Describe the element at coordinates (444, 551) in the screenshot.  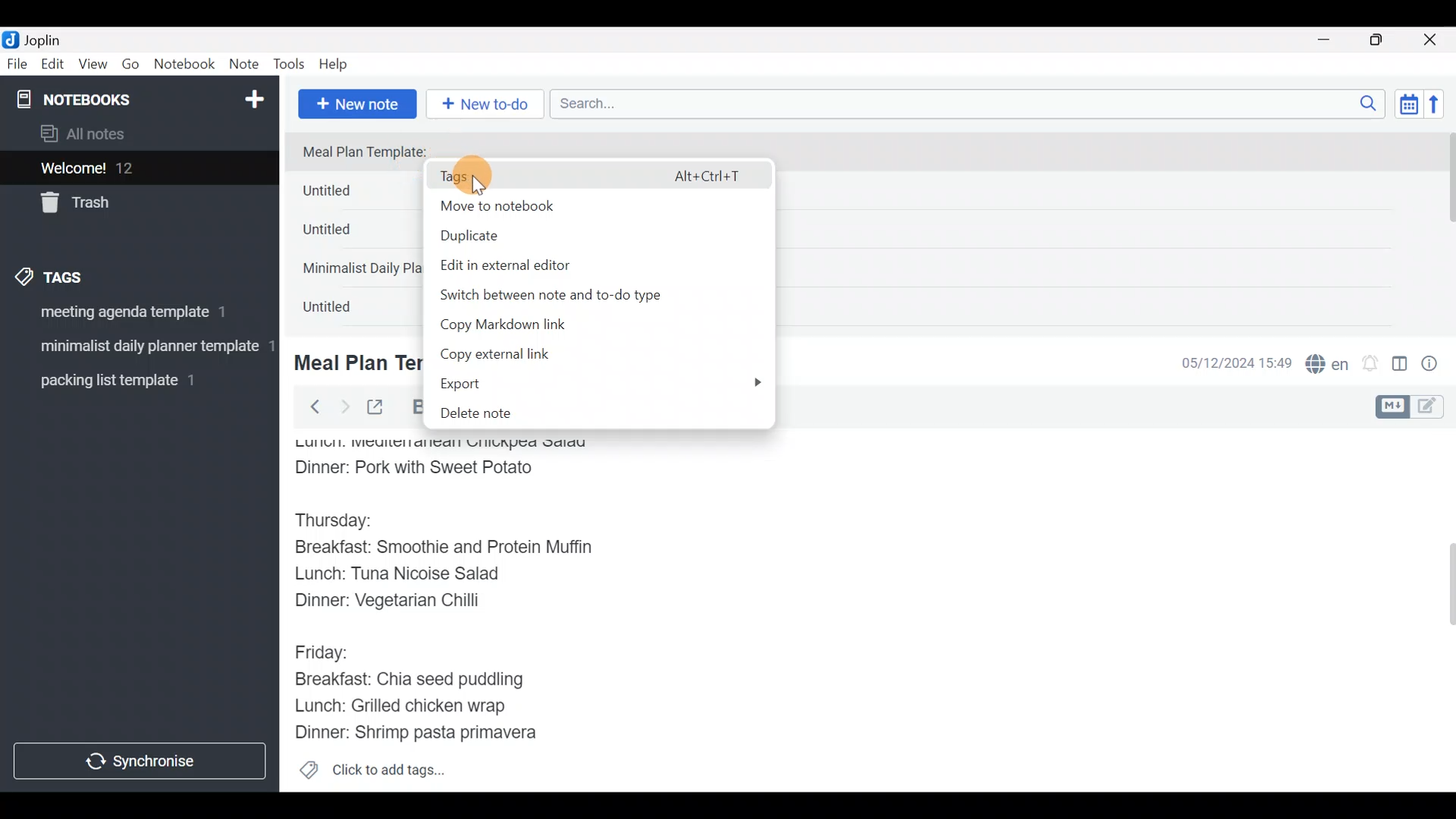
I see `Breakfast: Smoothie and Protein Muffin` at that location.